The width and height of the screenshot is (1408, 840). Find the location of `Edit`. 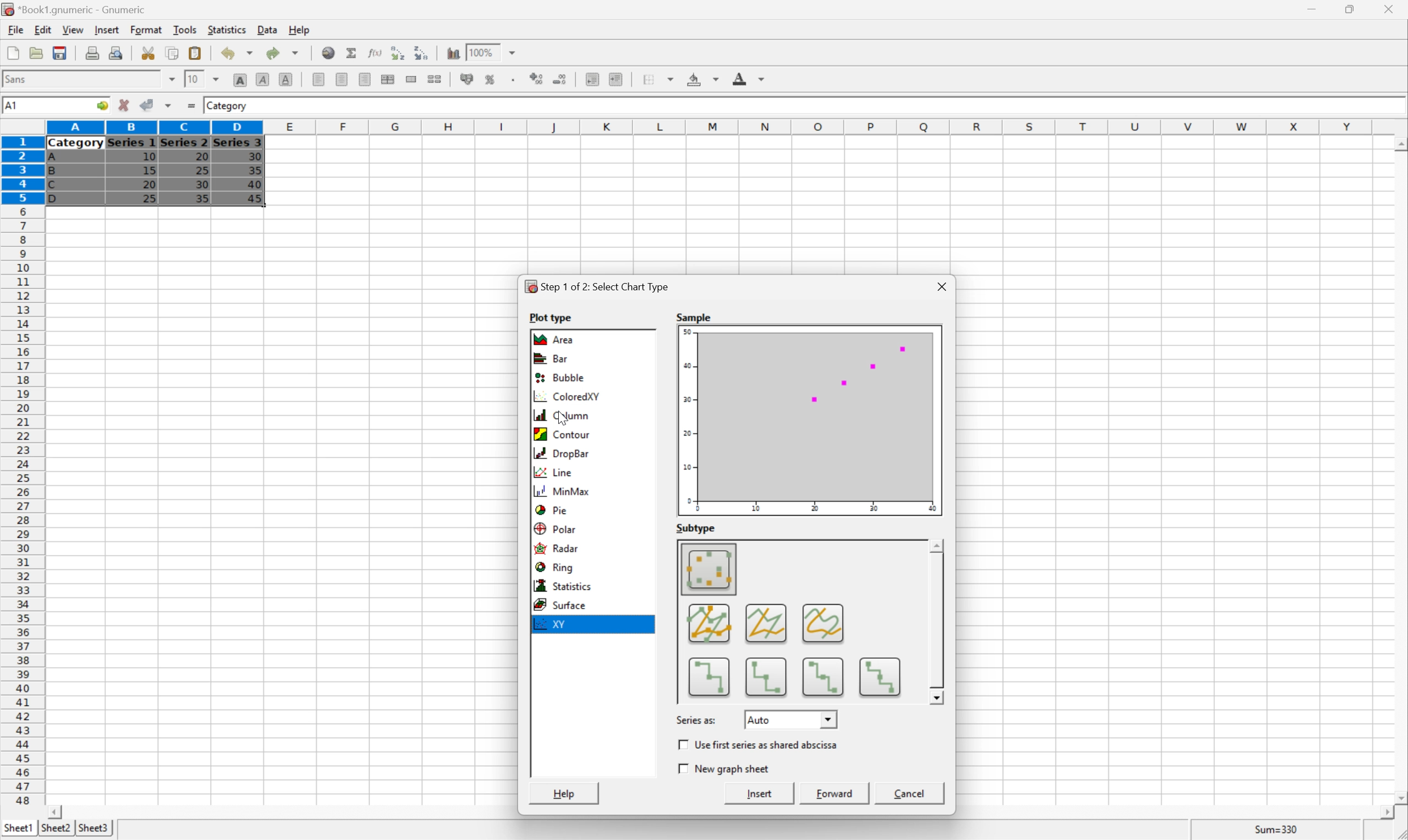

Edit is located at coordinates (43, 29).